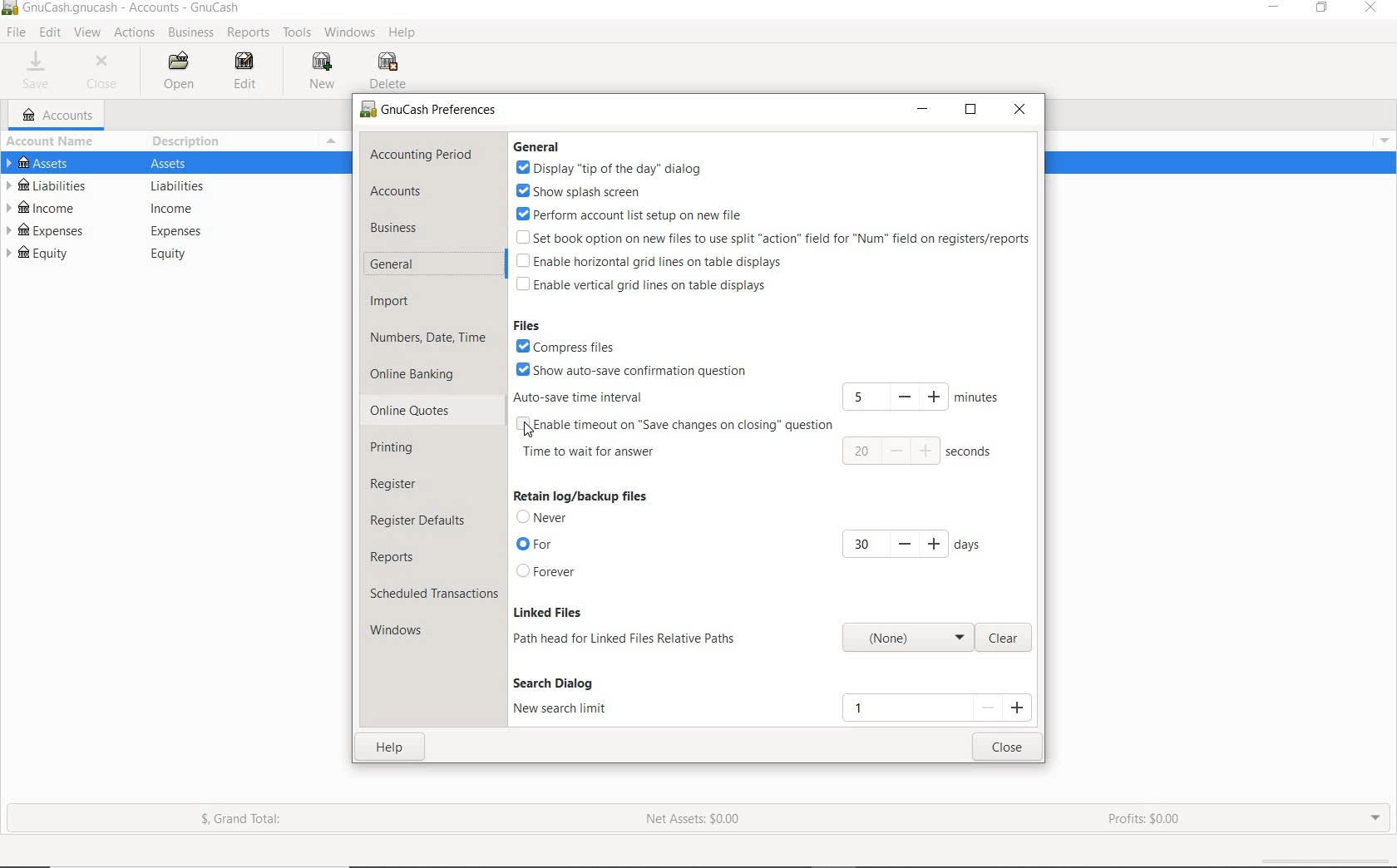 This screenshot has height=868, width=1397. I want to click on RESTORE DOWN, so click(1321, 11).